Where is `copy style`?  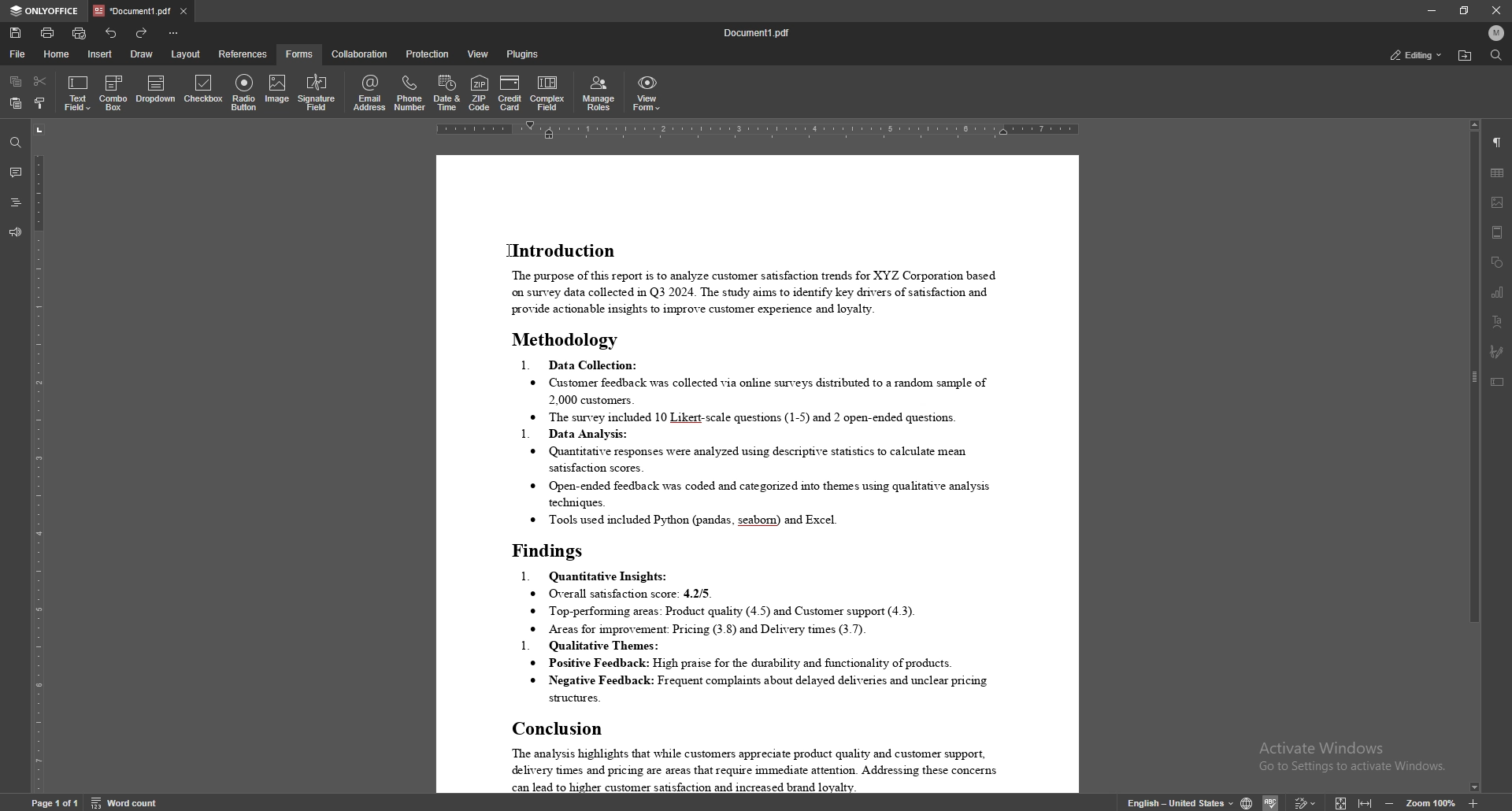
copy style is located at coordinates (39, 105).